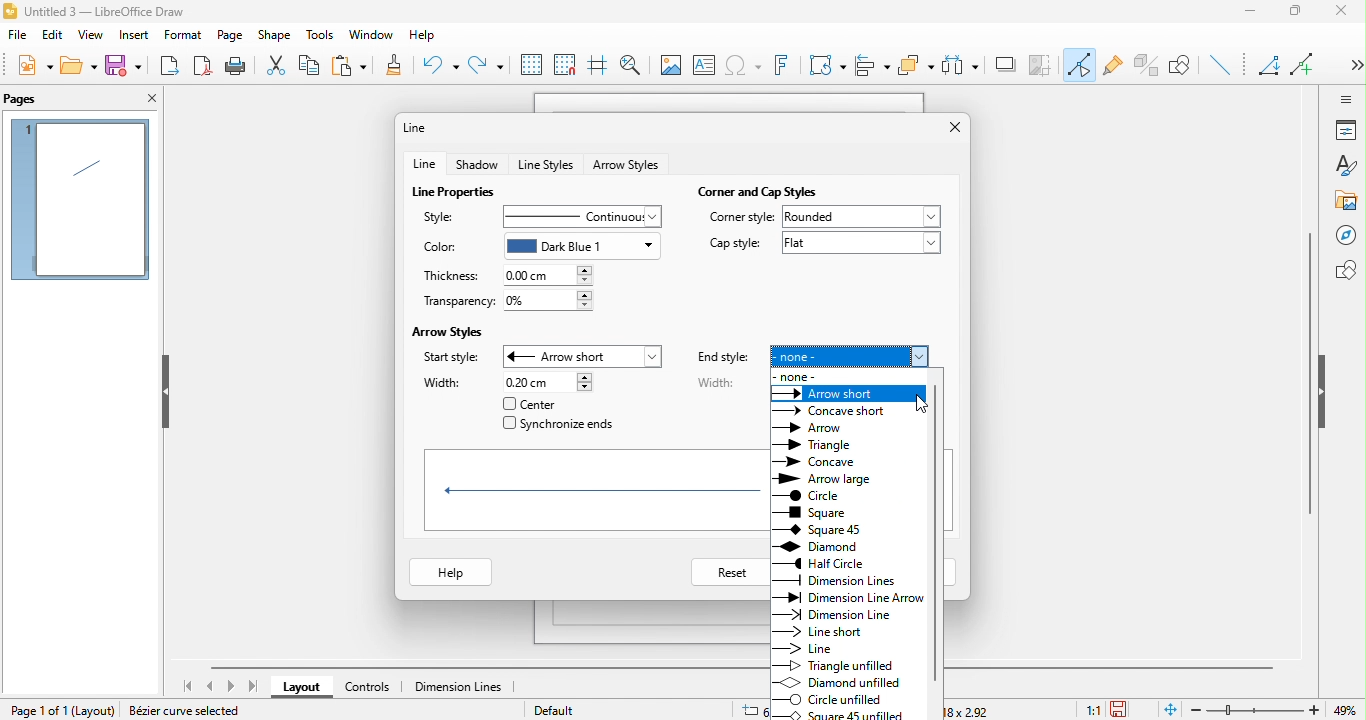 The width and height of the screenshot is (1366, 720). What do you see at coordinates (440, 248) in the screenshot?
I see `color` at bounding box center [440, 248].